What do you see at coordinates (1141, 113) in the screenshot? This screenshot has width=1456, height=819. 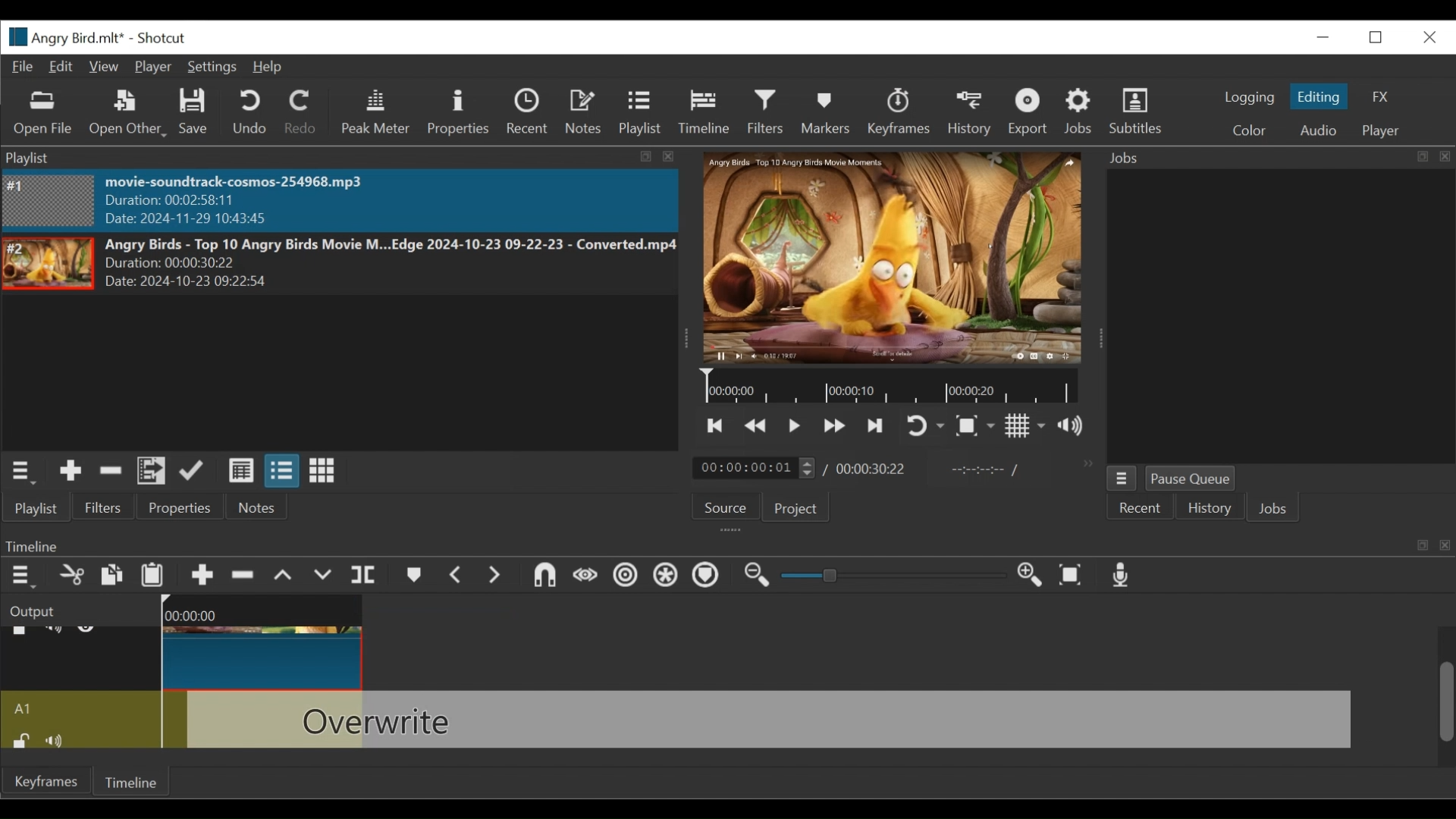 I see `Subtitles` at bounding box center [1141, 113].